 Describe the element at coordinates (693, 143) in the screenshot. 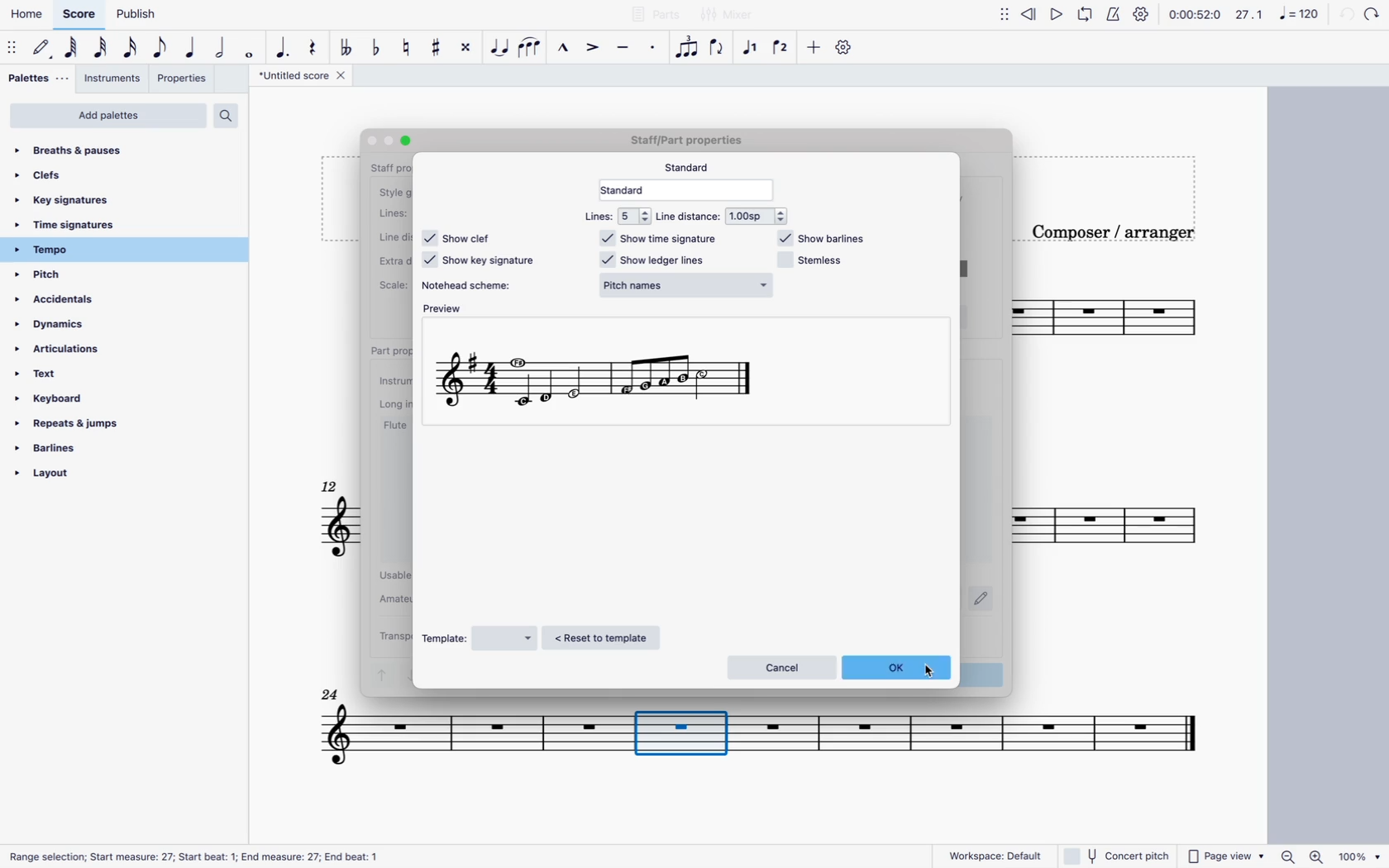

I see `` at that location.